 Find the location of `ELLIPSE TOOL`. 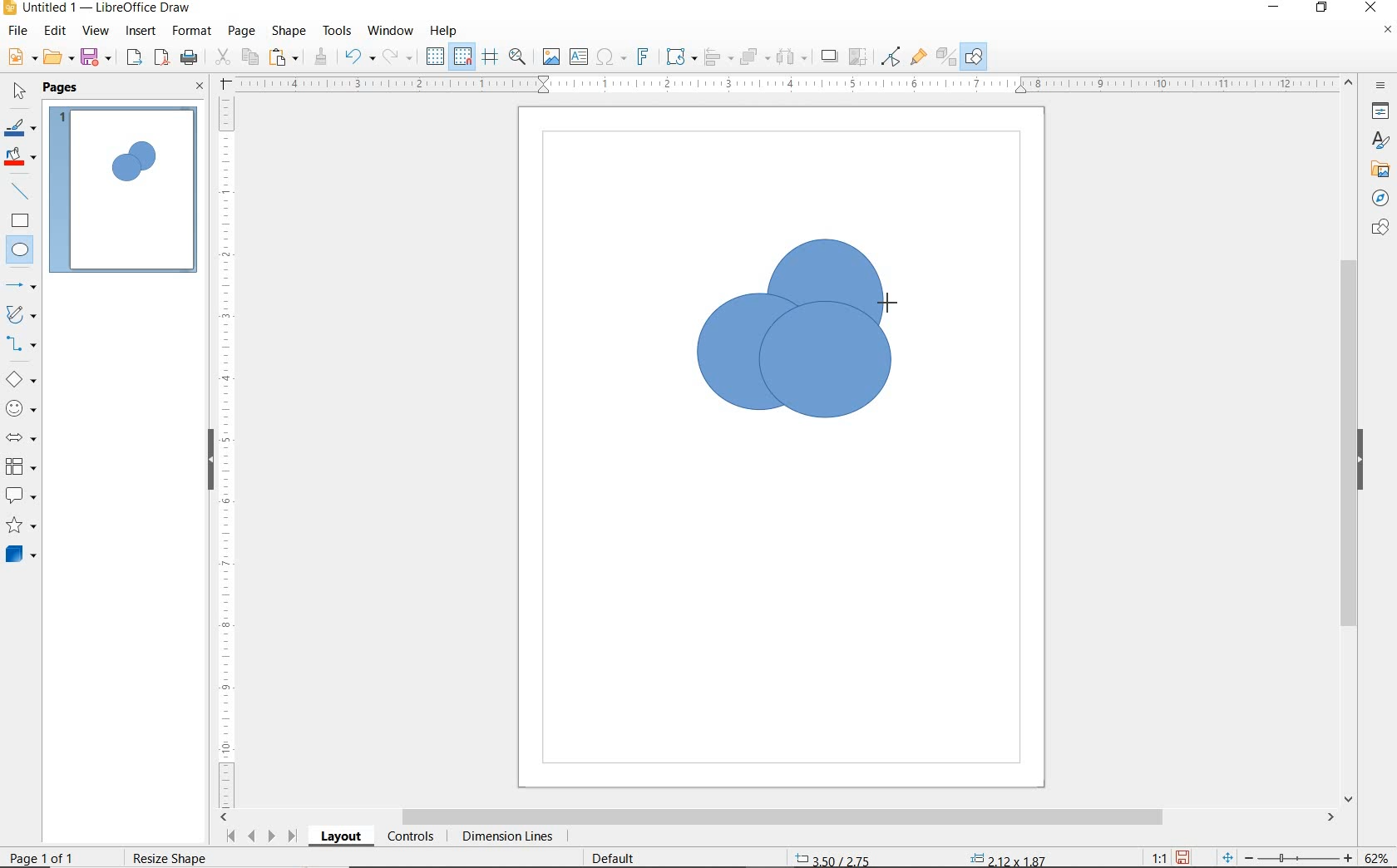

ELLIPSE TOOL is located at coordinates (763, 420).